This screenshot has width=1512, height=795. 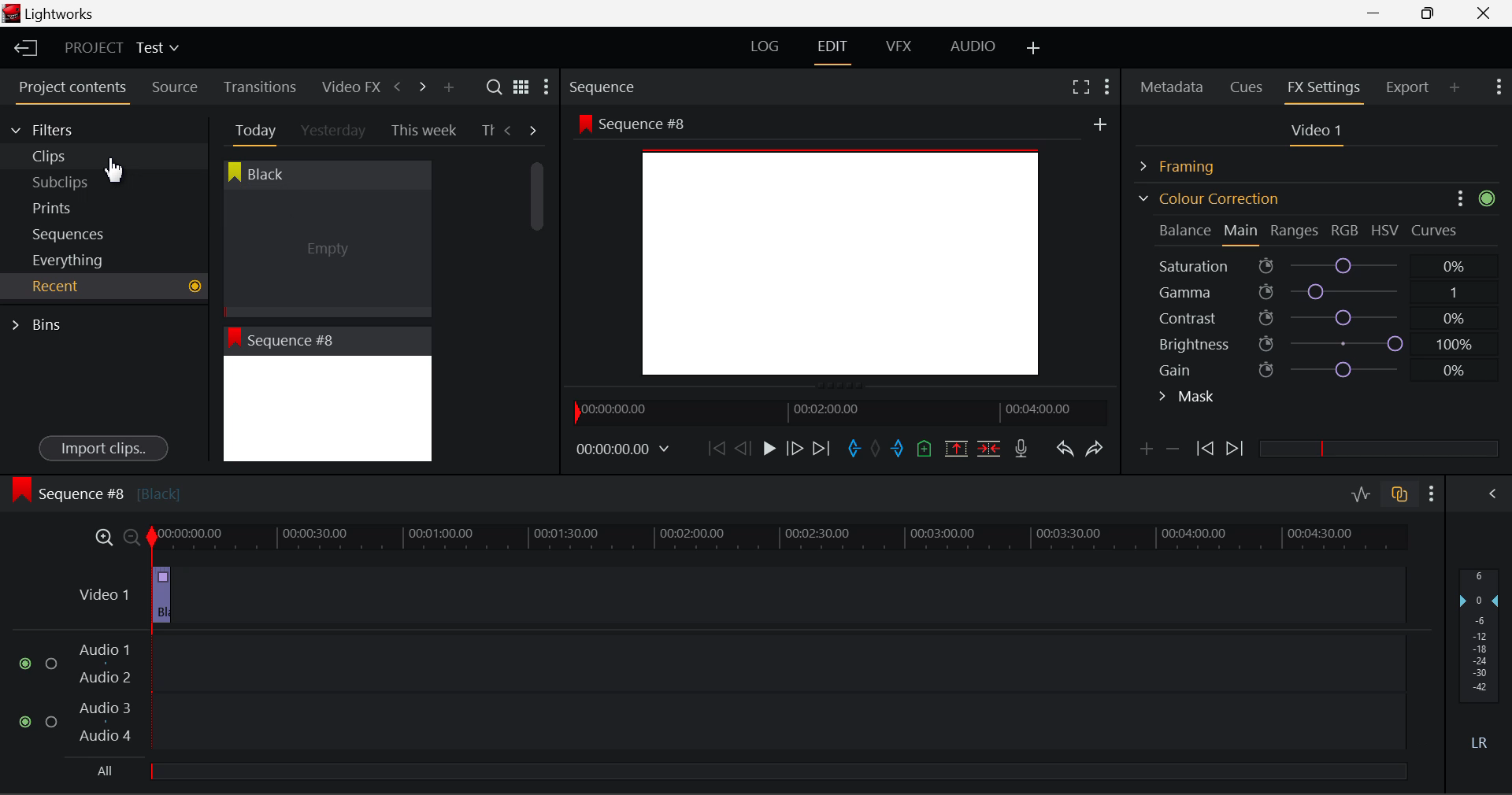 I want to click on Minimize, so click(x=1432, y=13).